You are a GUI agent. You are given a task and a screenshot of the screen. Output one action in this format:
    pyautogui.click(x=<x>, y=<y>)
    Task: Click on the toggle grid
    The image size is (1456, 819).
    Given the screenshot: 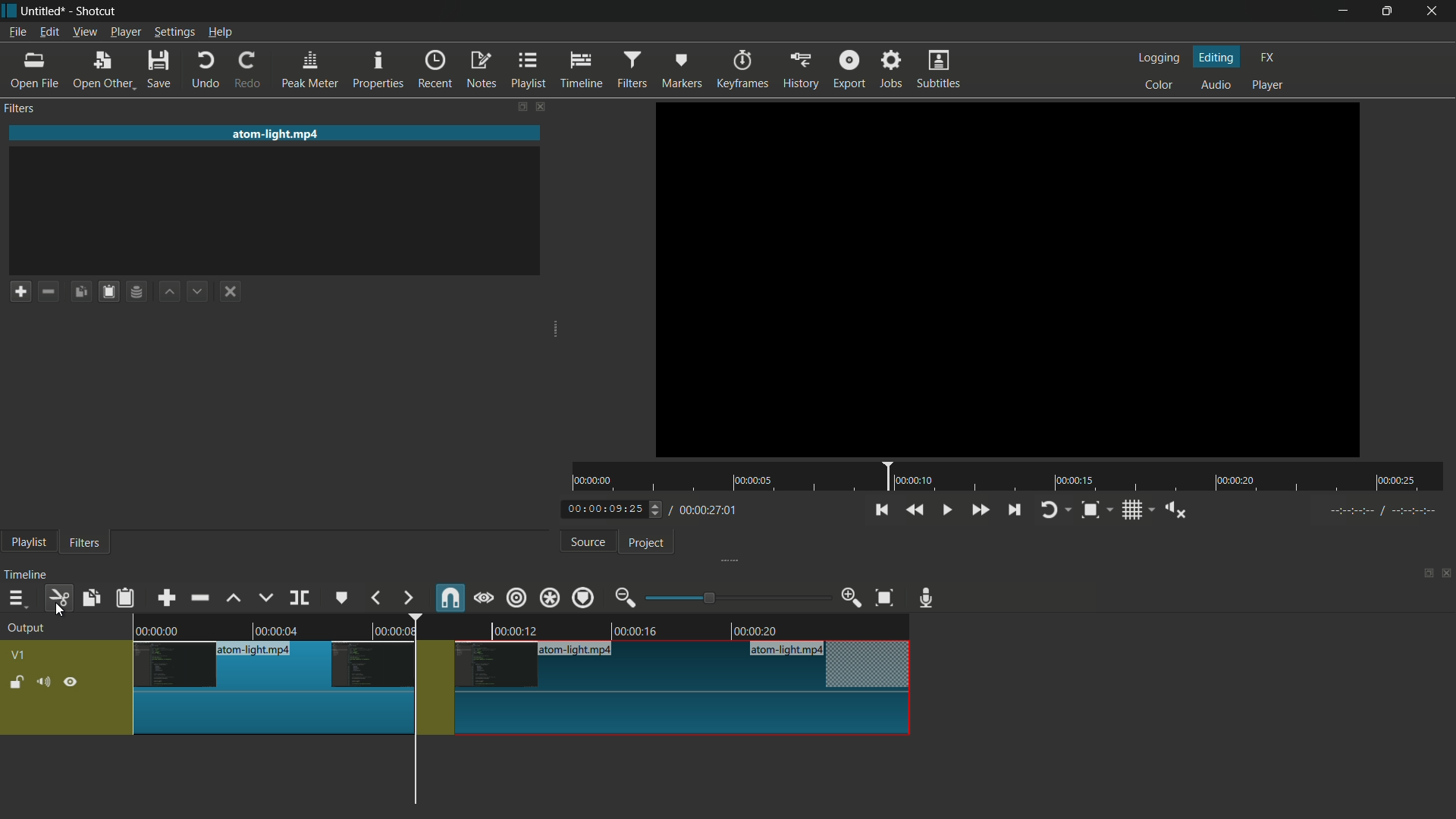 What is the action you would take?
    pyautogui.click(x=1137, y=510)
    